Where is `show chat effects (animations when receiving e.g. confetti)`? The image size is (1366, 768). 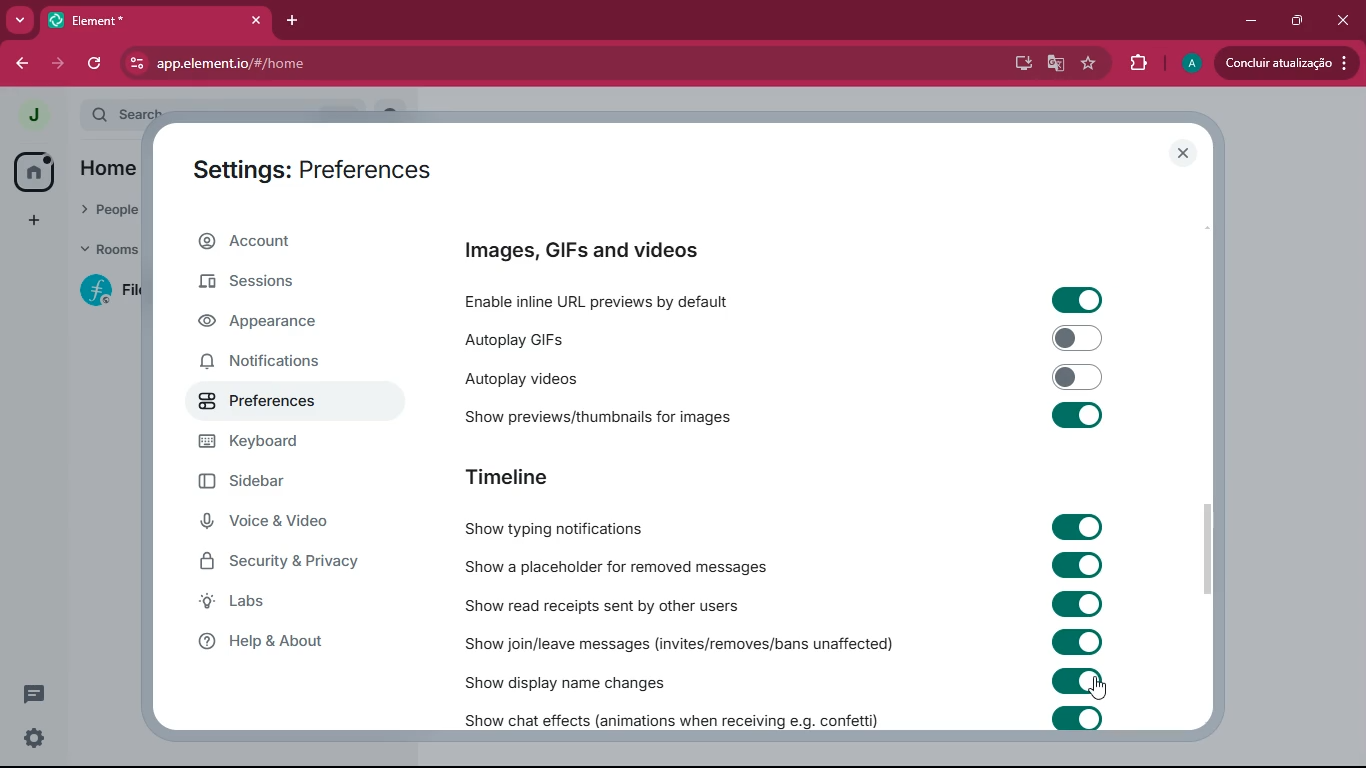 show chat effects (animations when receiving e.g. confetti) is located at coordinates (669, 718).